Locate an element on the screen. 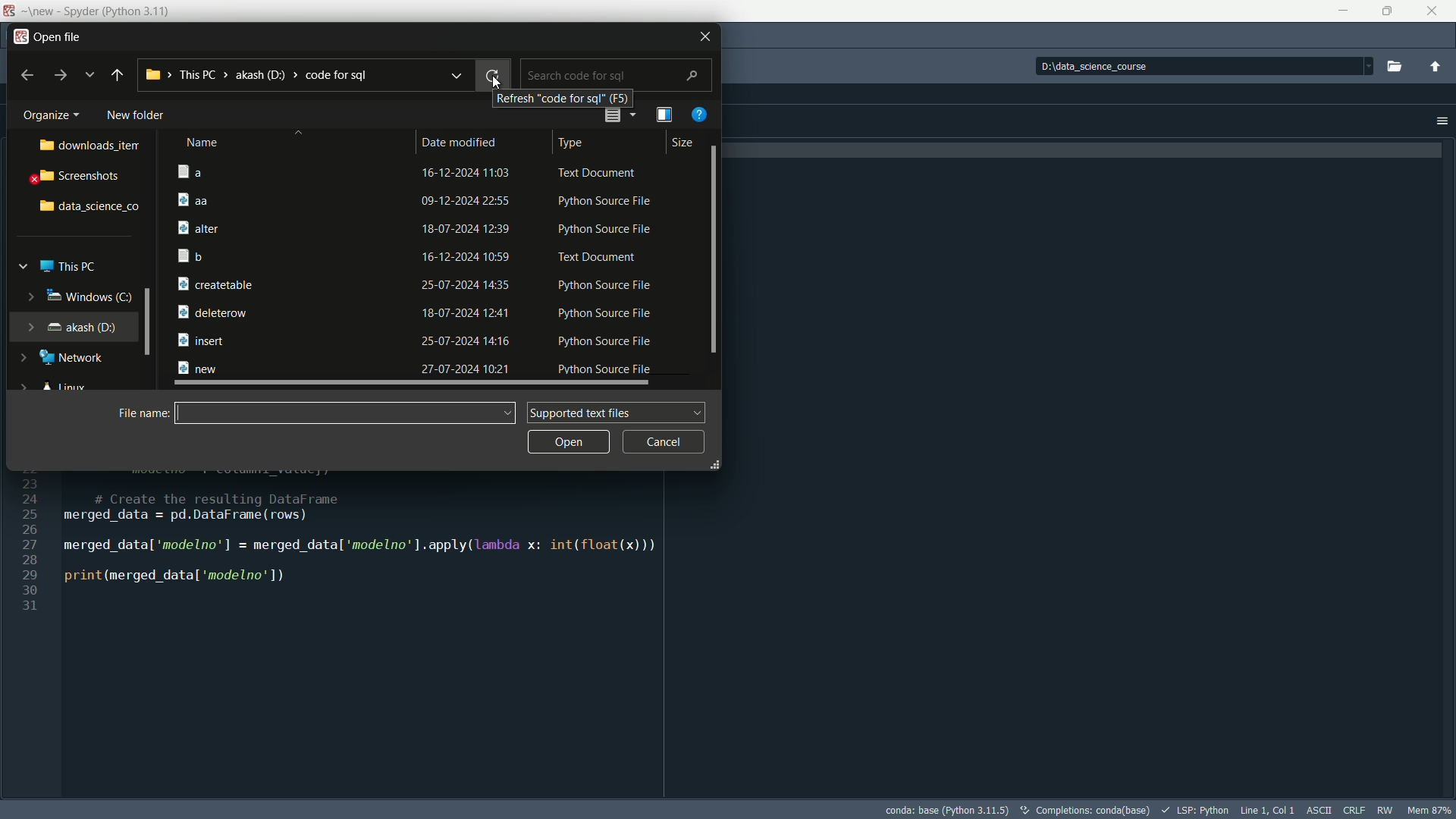  previous locations is located at coordinates (89, 74).